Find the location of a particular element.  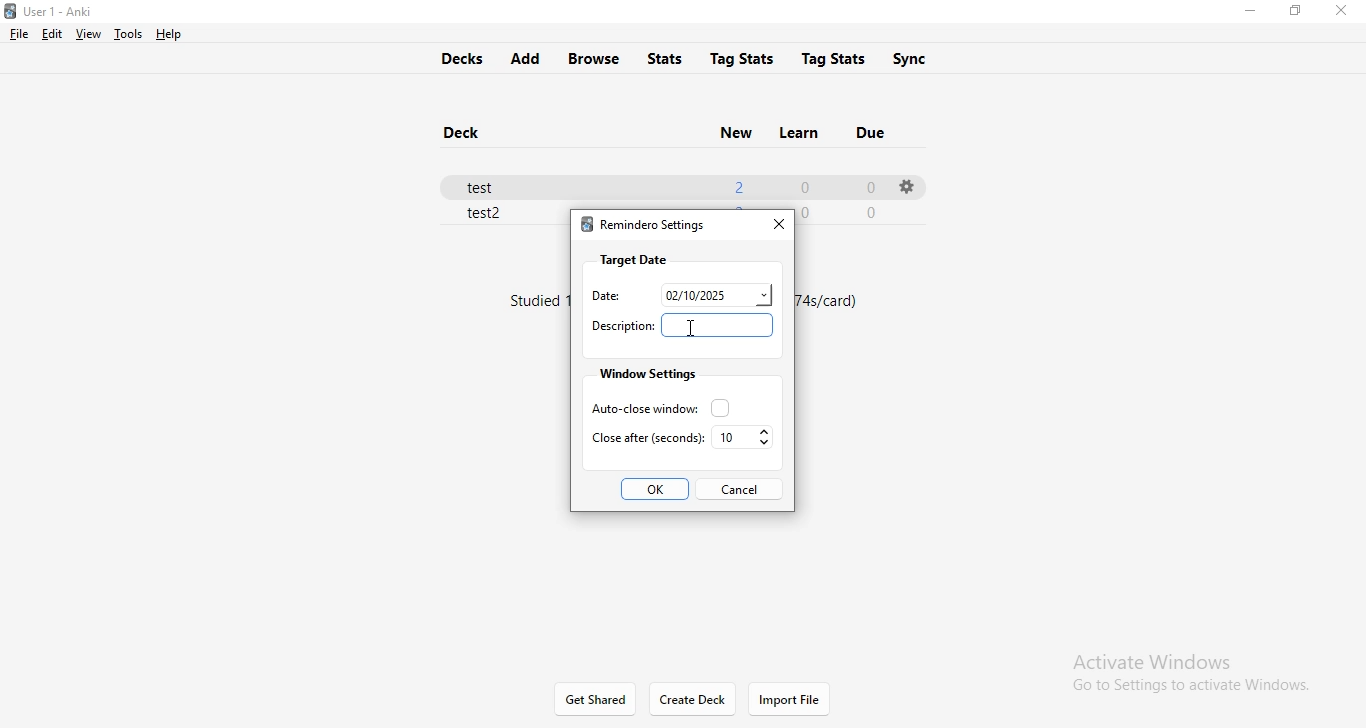

0 is located at coordinates (869, 188).